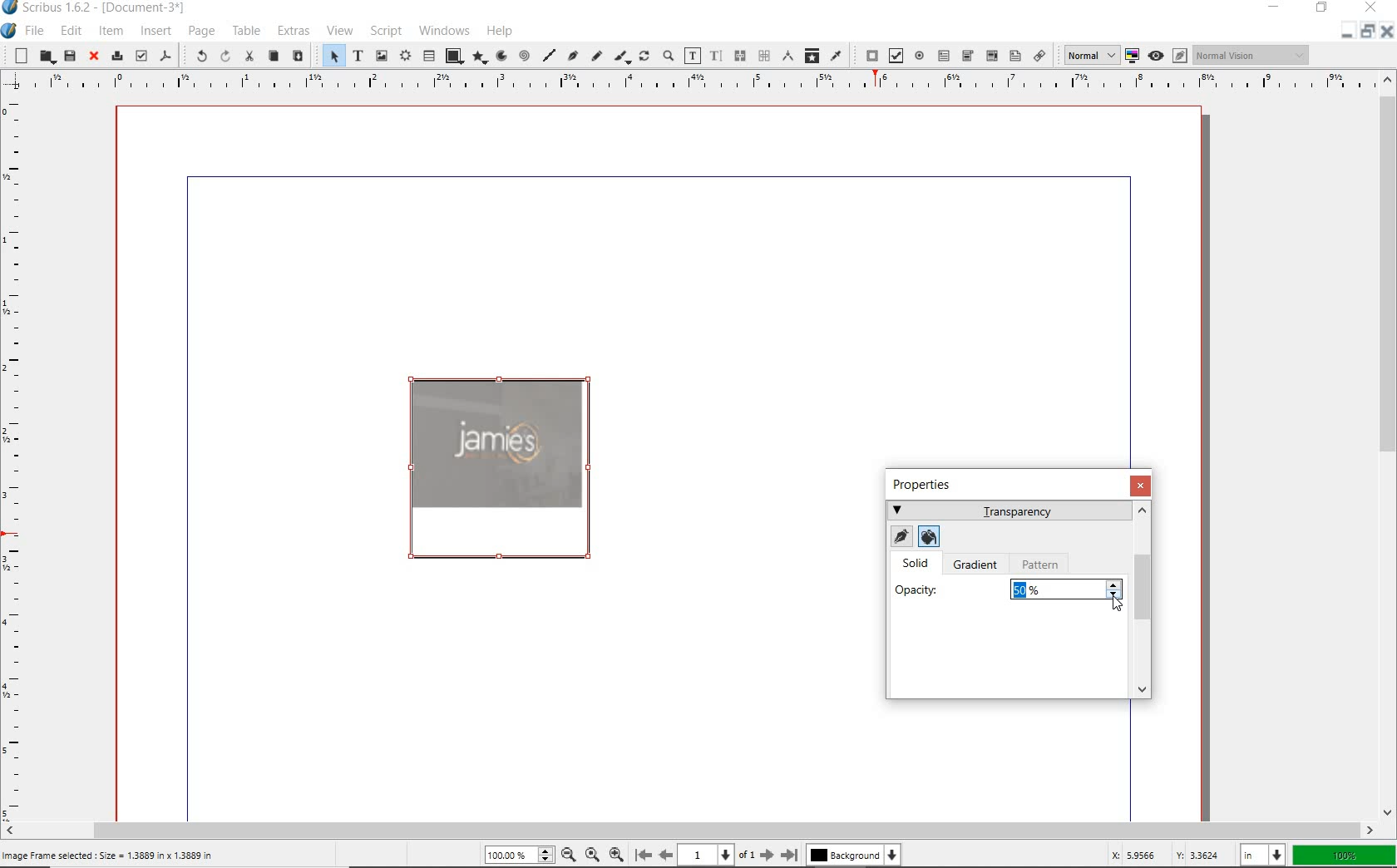  Describe the element at coordinates (1028, 589) in the screenshot. I see `OPACITY REDUCED TO 50%` at that location.